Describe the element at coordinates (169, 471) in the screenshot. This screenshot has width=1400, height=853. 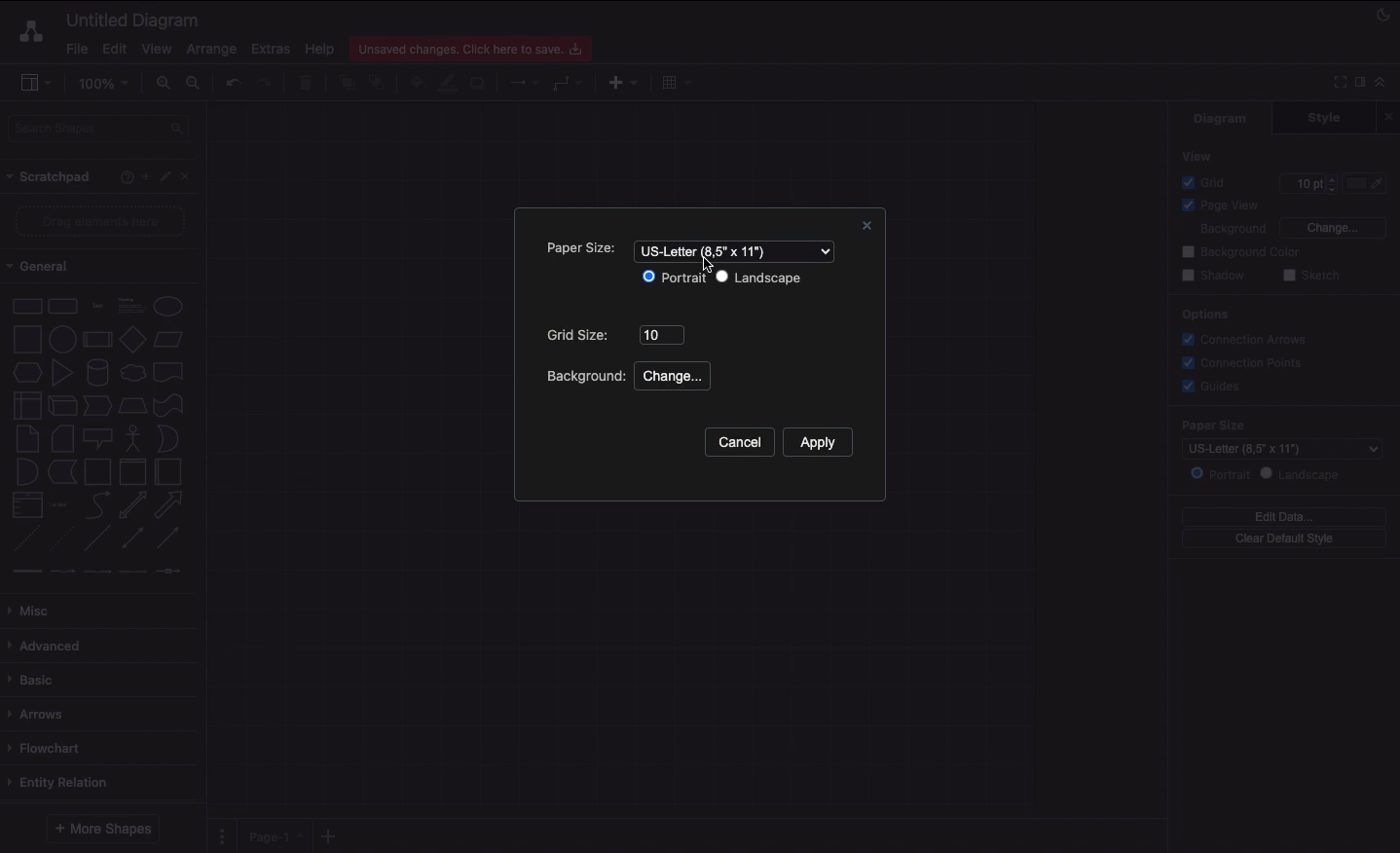
I see `Horizontal container` at that location.